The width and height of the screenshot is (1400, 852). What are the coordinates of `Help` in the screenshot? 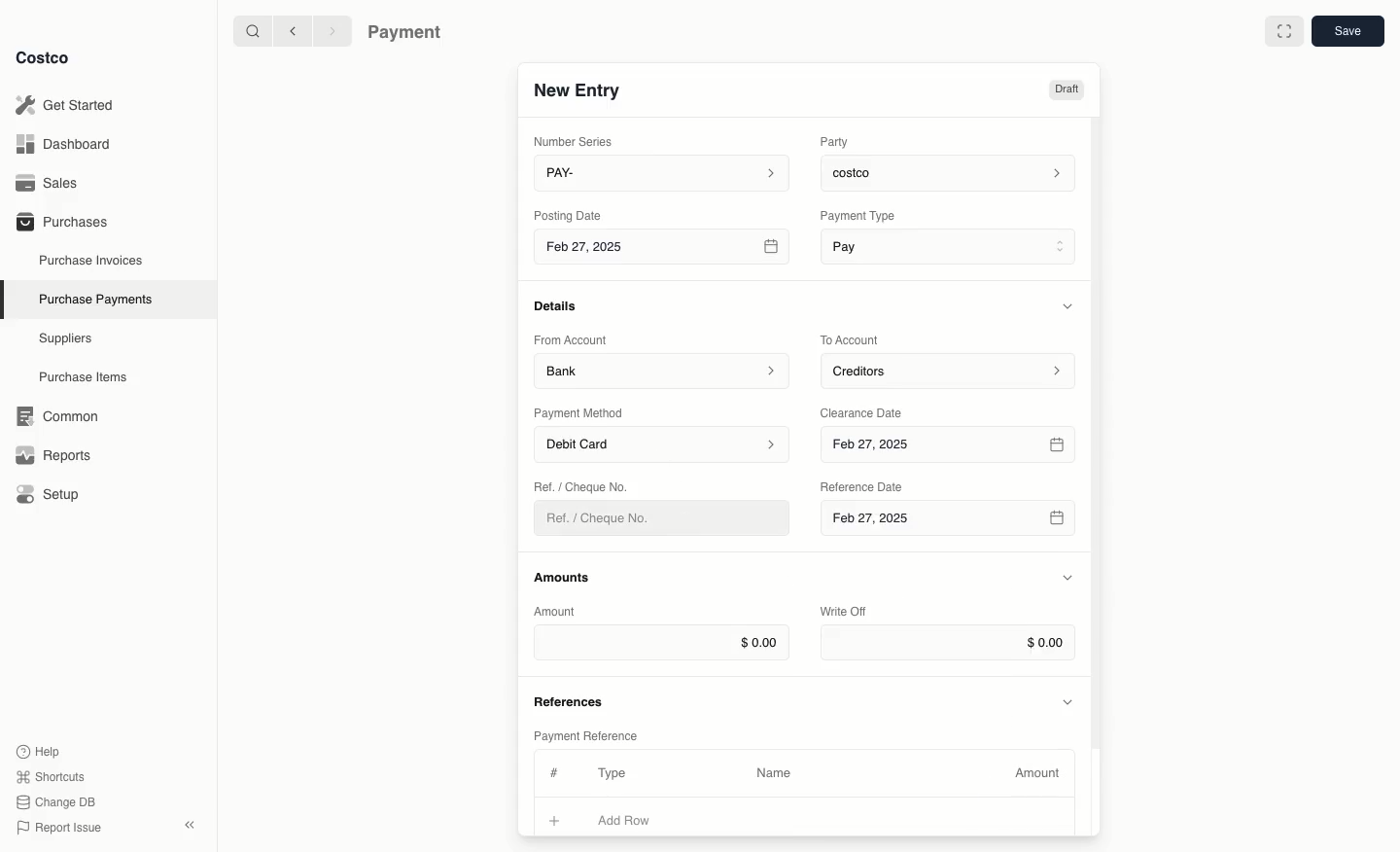 It's located at (38, 750).